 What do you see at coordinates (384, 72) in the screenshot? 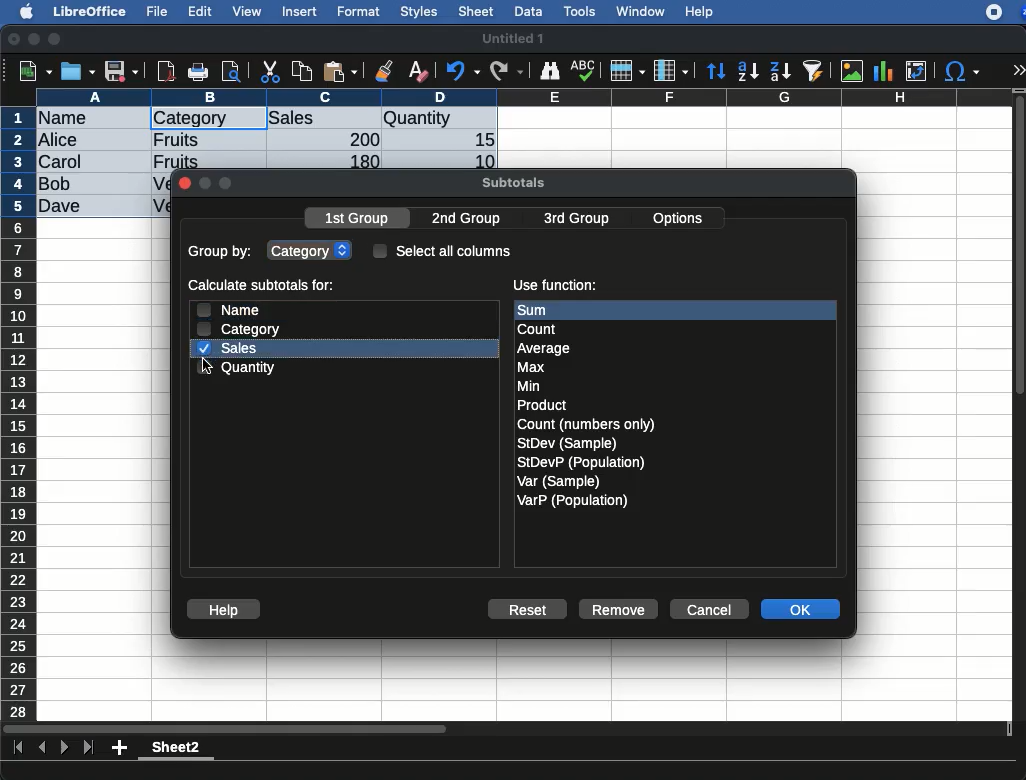
I see `clone formatting` at bounding box center [384, 72].